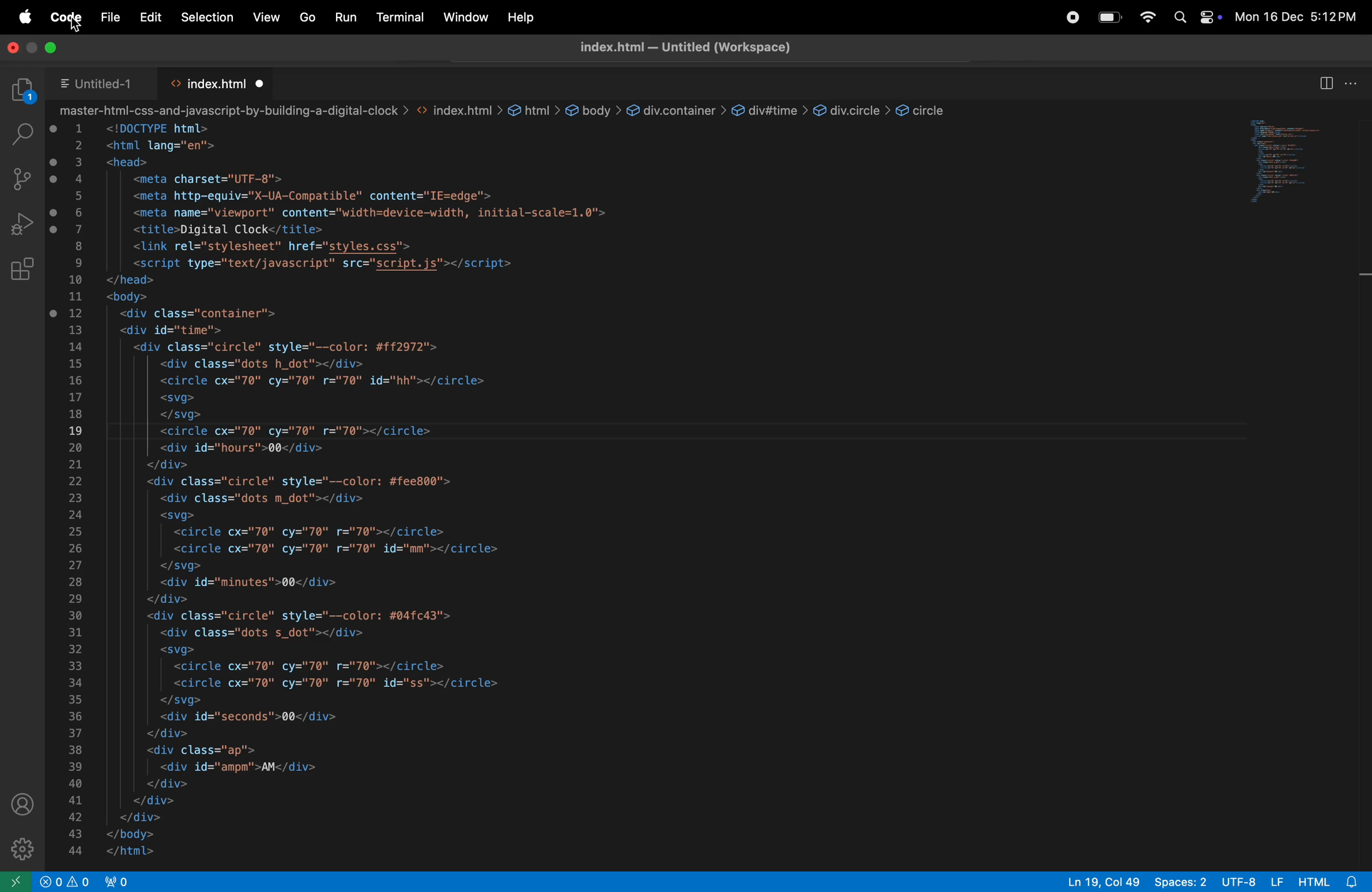  Describe the element at coordinates (180, 415) in the screenshot. I see `| </svg>` at that location.